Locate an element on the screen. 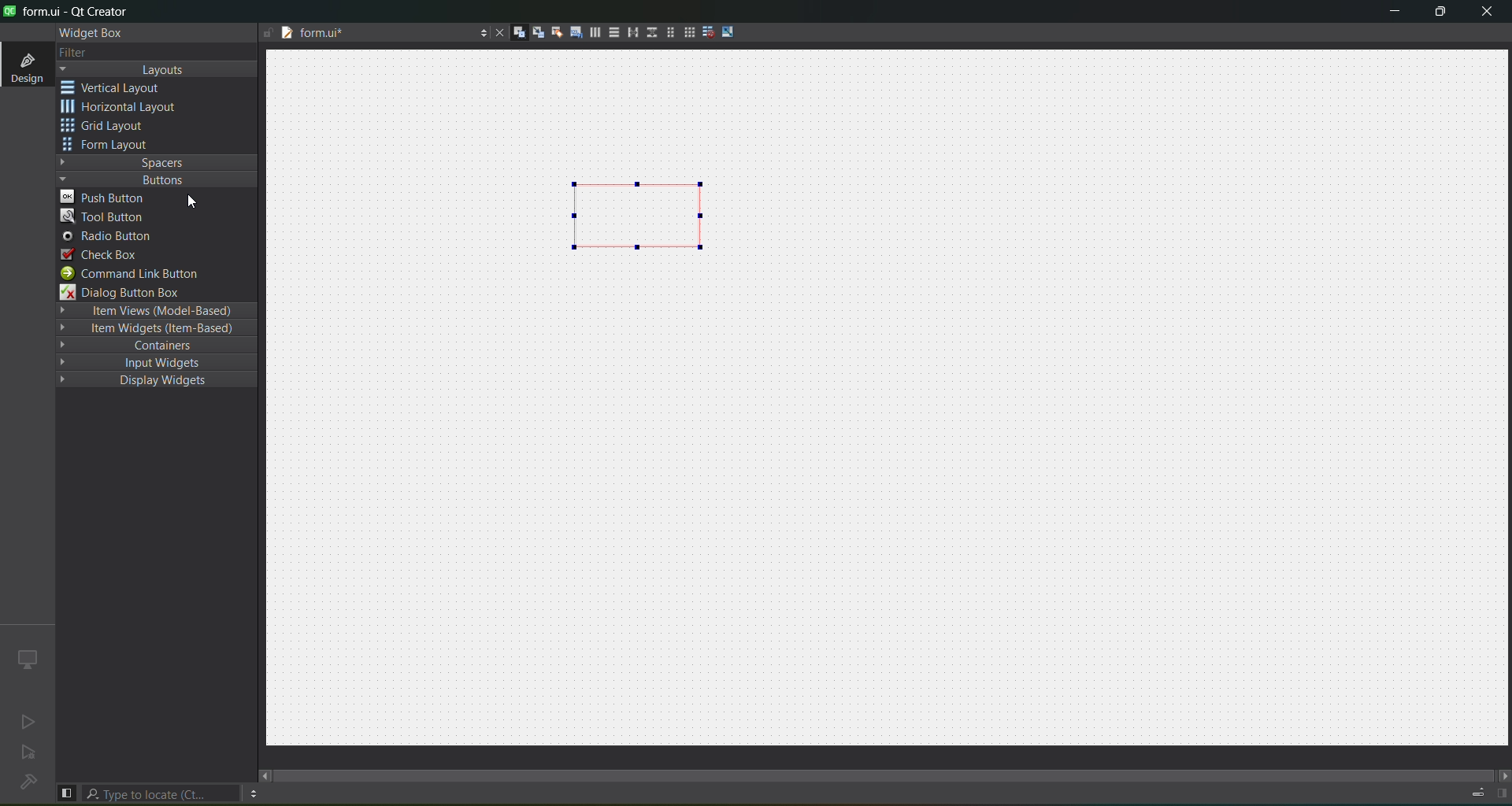 The height and width of the screenshot is (806, 1512). edit widgets is located at coordinates (519, 33).